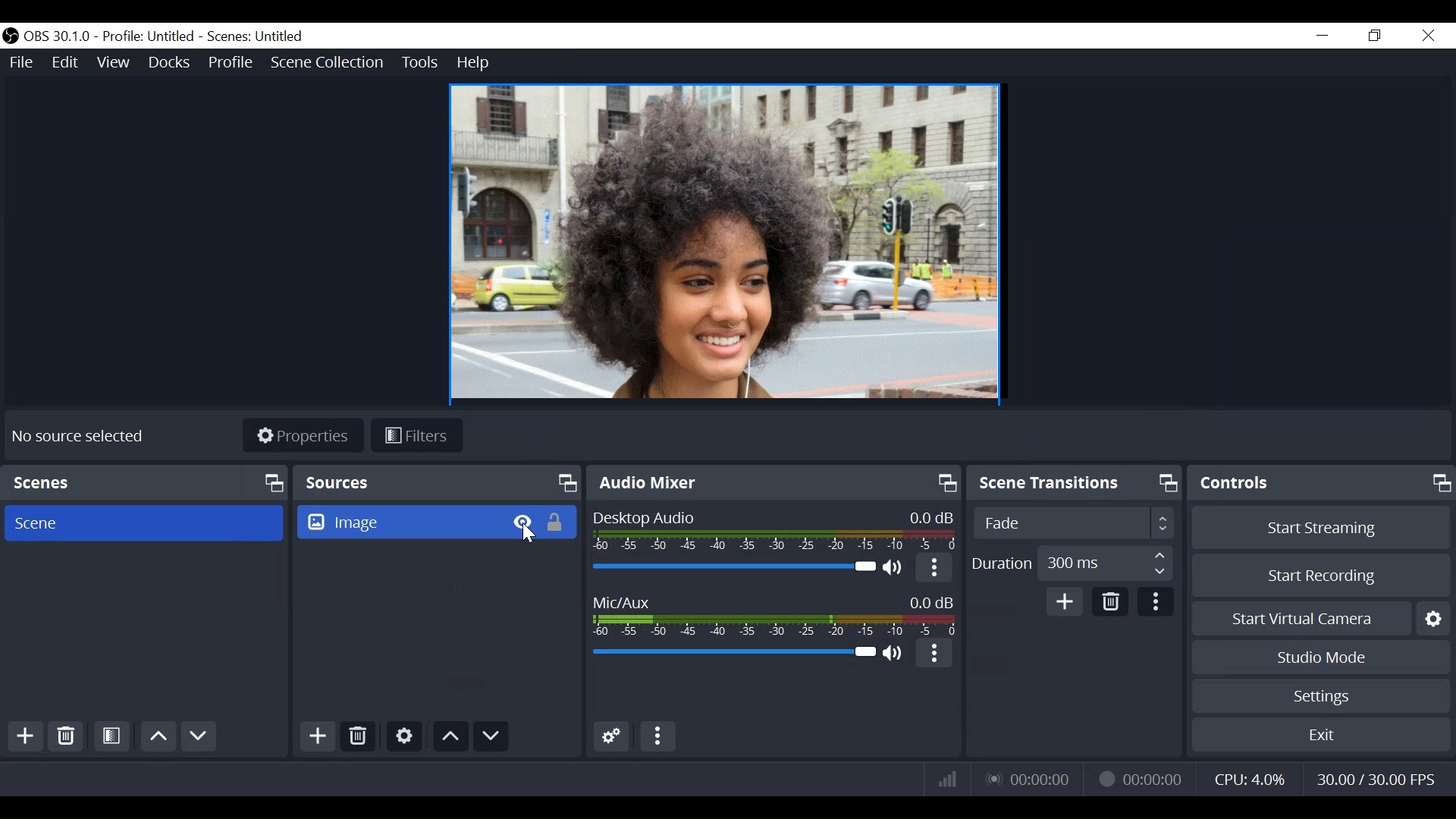  I want to click on Start Virtual Camera, so click(1320, 619).